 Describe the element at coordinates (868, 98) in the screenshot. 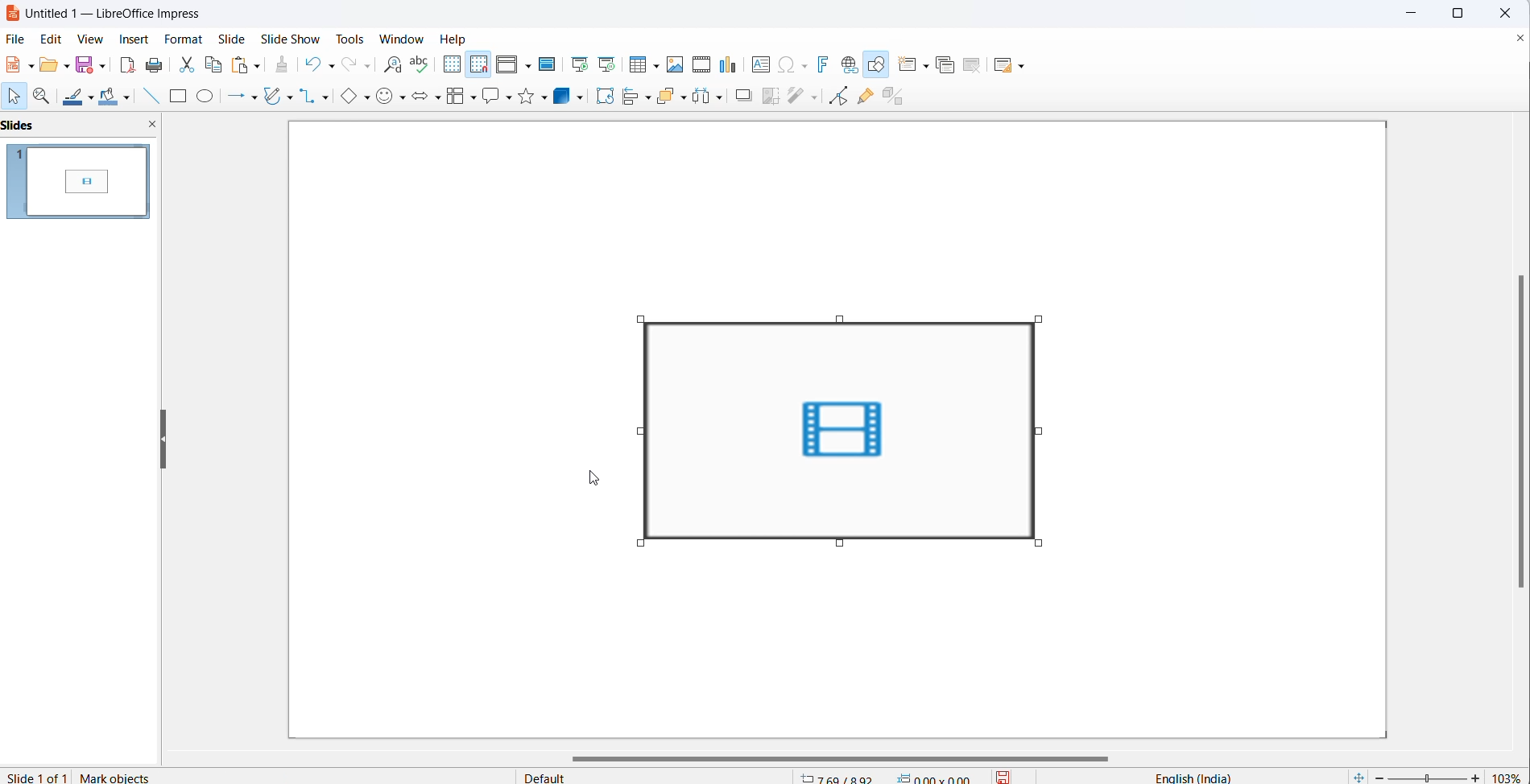

I see `show gluepoint function` at that location.